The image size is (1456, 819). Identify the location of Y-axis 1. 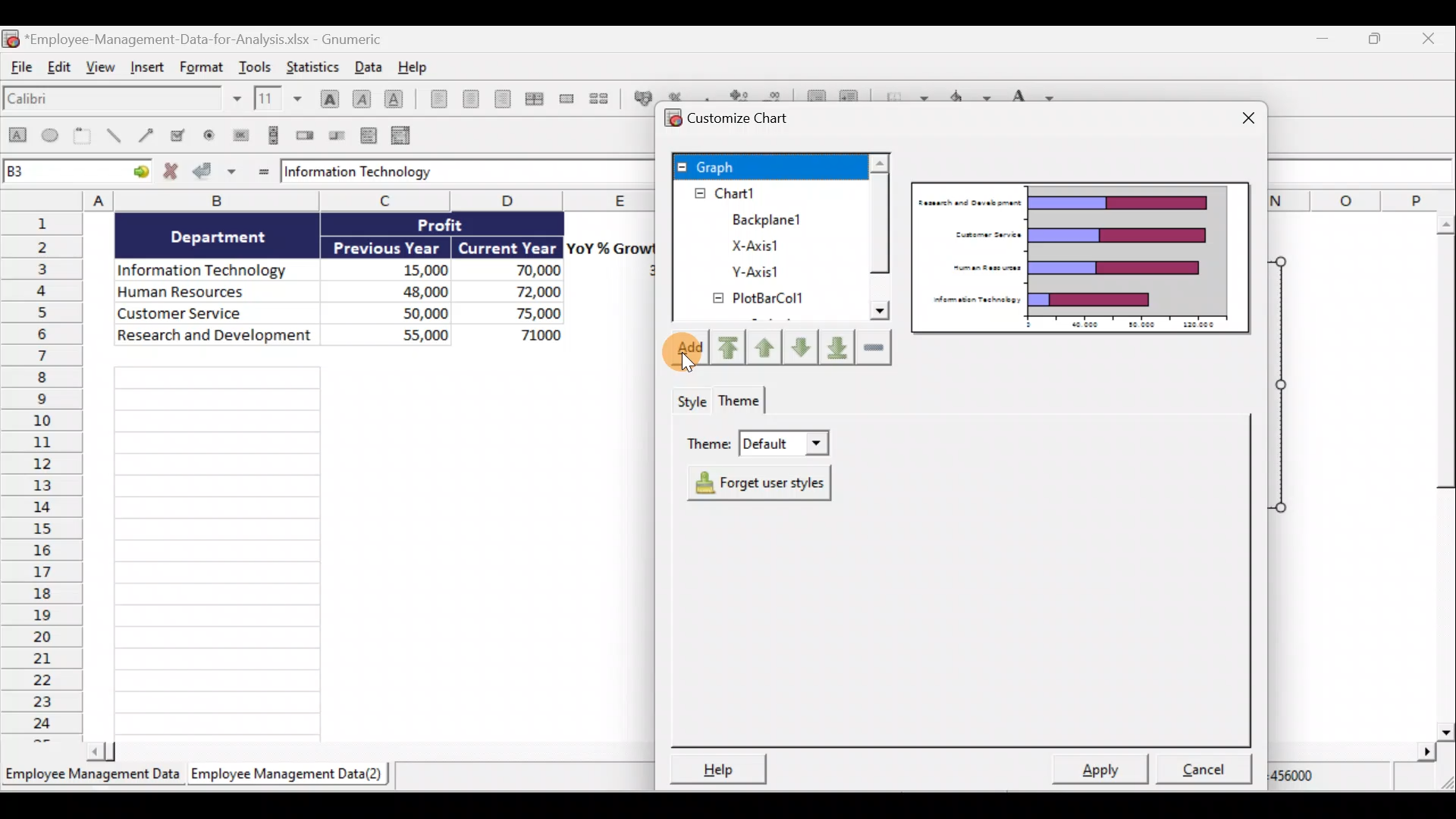
(768, 271).